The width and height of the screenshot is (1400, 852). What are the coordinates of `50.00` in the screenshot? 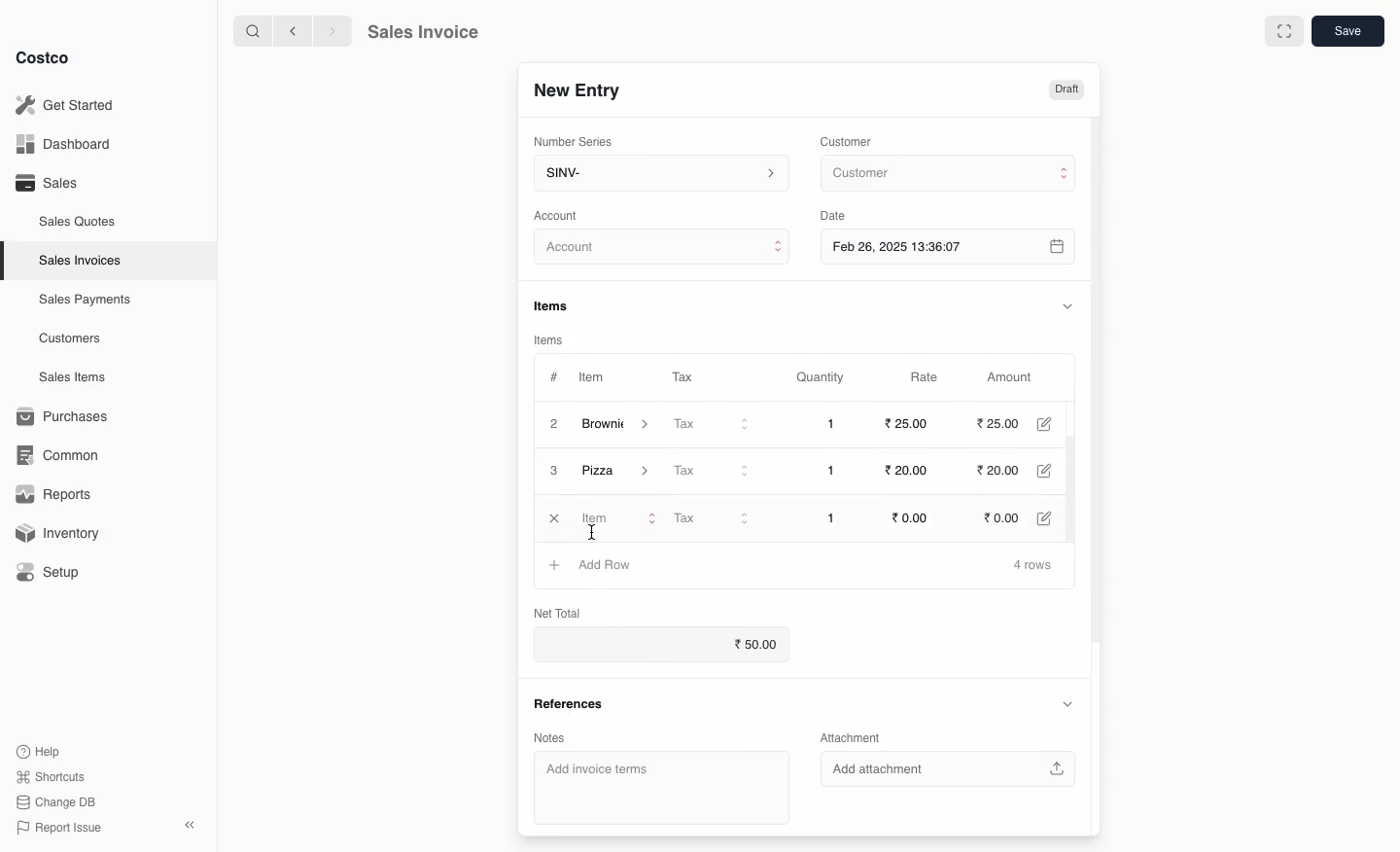 It's located at (759, 645).